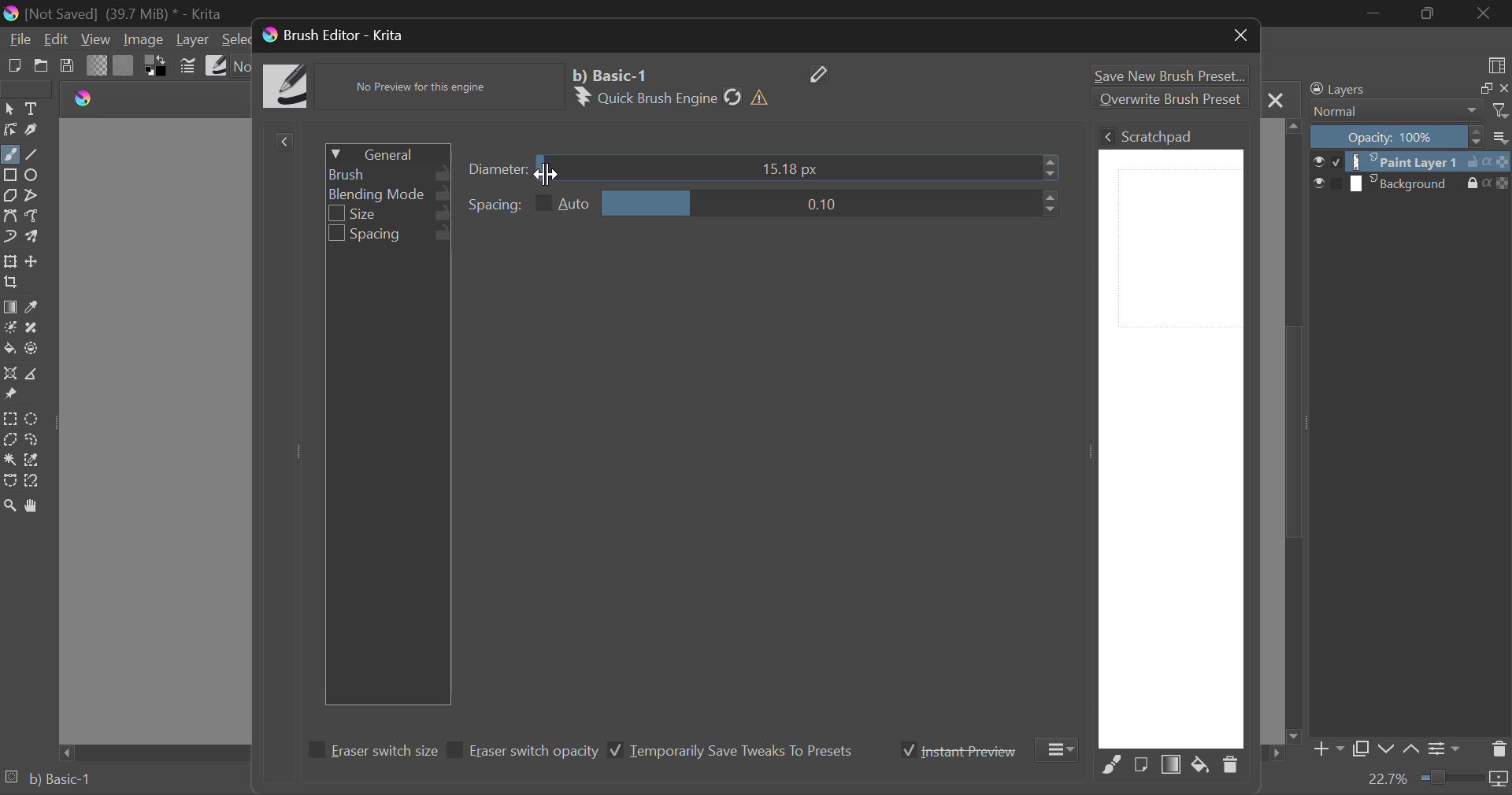 The width and height of the screenshot is (1512, 795). What do you see at coordinates (89, 99) in the screenshot?
I see `logo` at bounding box center [89, 99].